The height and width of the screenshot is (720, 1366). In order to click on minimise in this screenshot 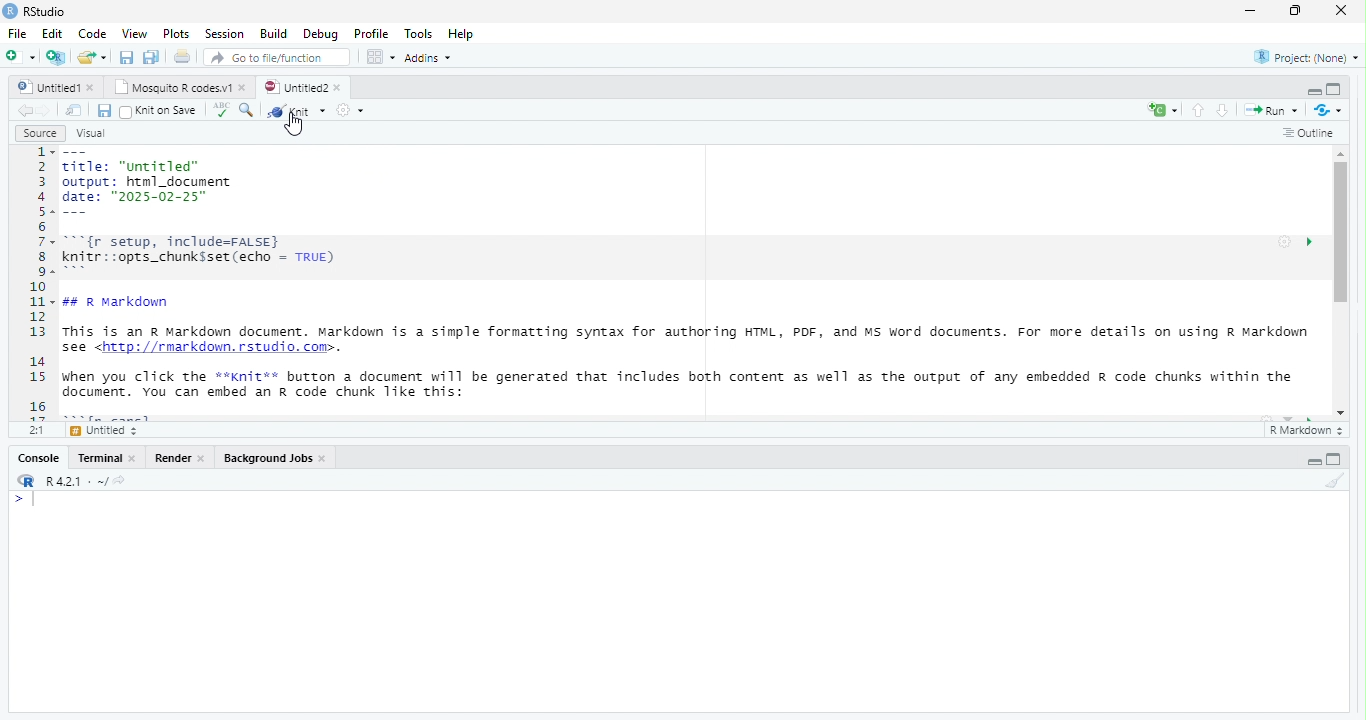, I will do `click(1253, 10)`.